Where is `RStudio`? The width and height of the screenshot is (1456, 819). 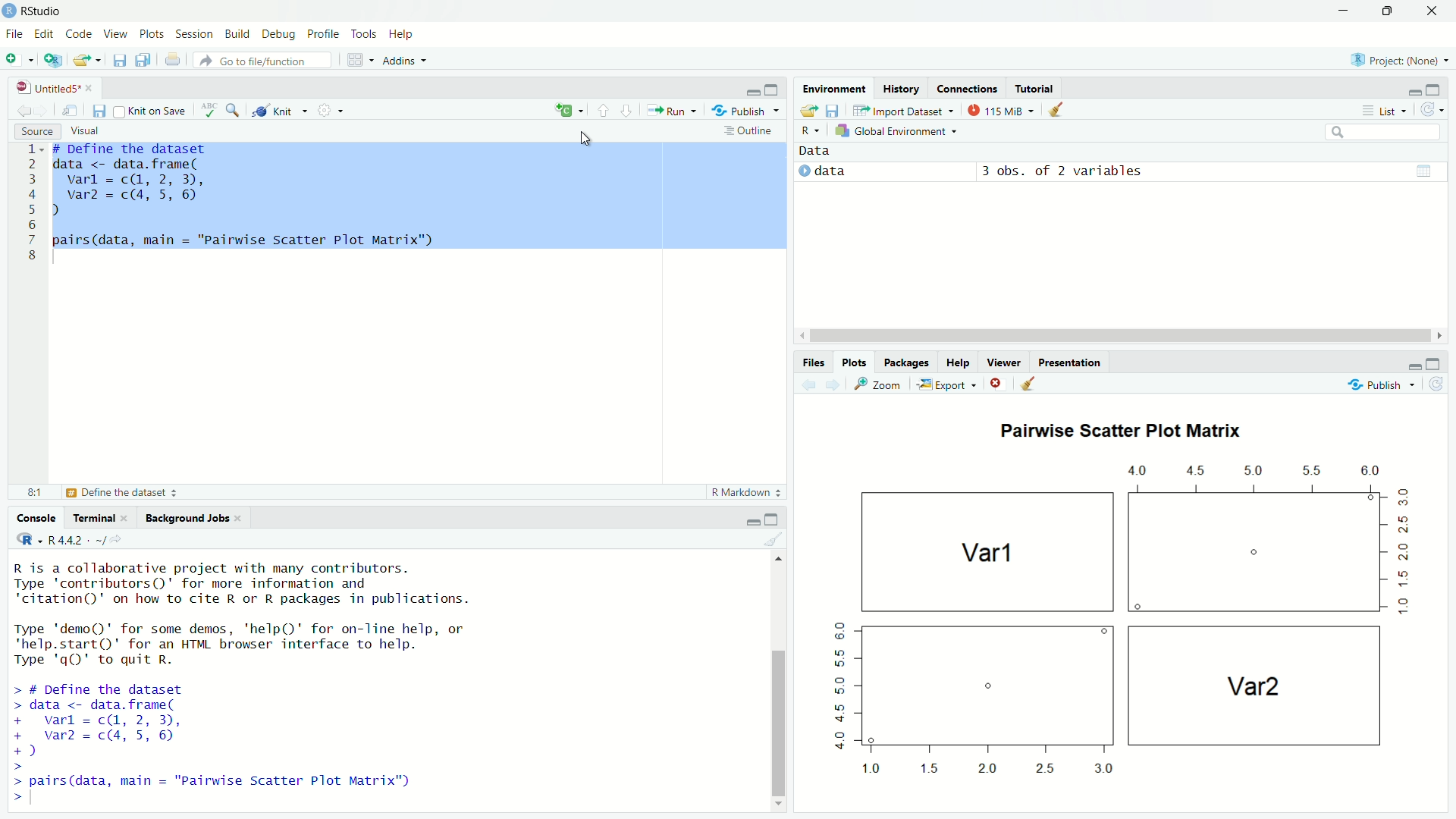
RStudio is located at coordinates (38, 11).